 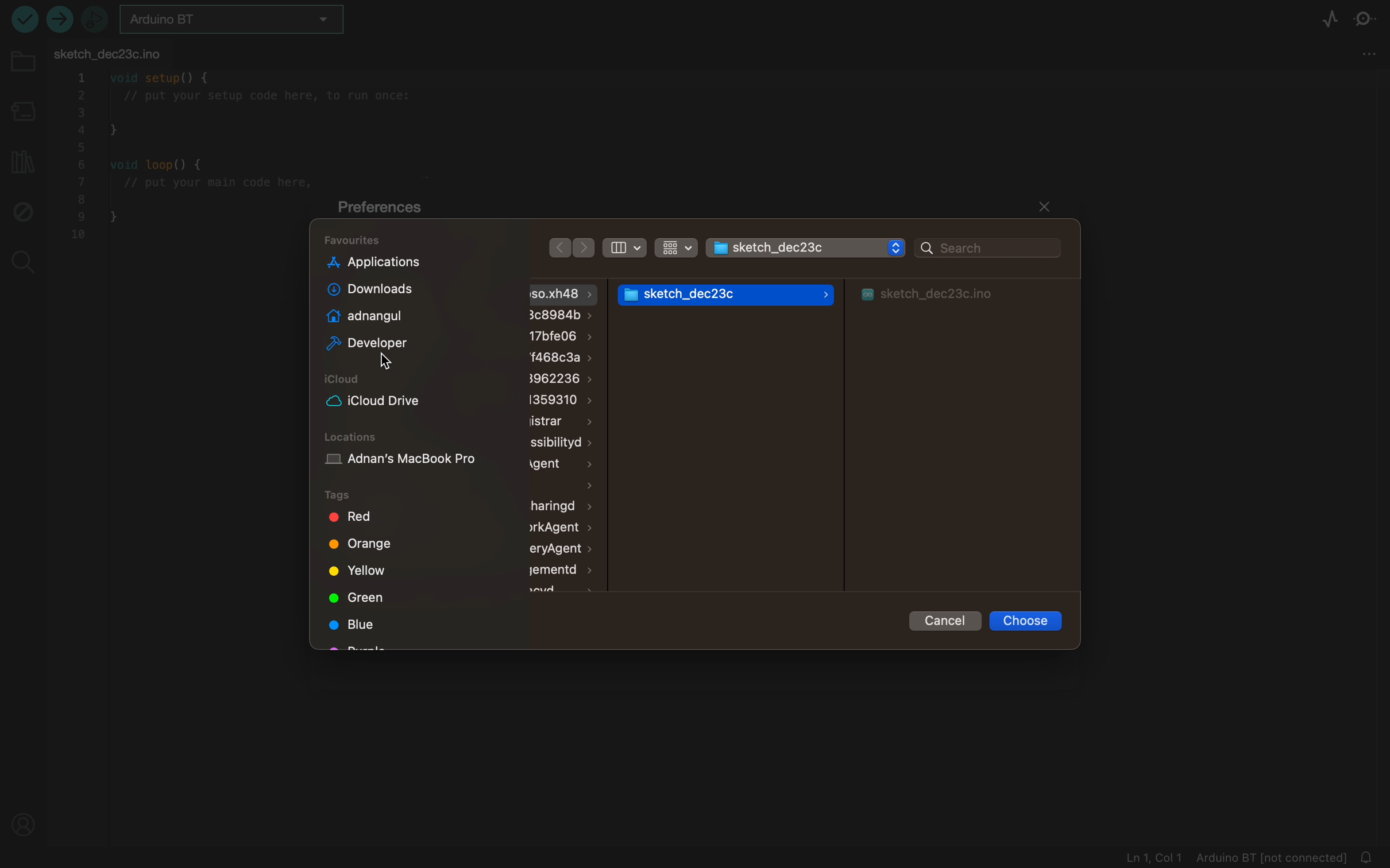 What do you see at coordinates (24, 262) in the screenshot?
I see `search` at bounding box center [24, 262].